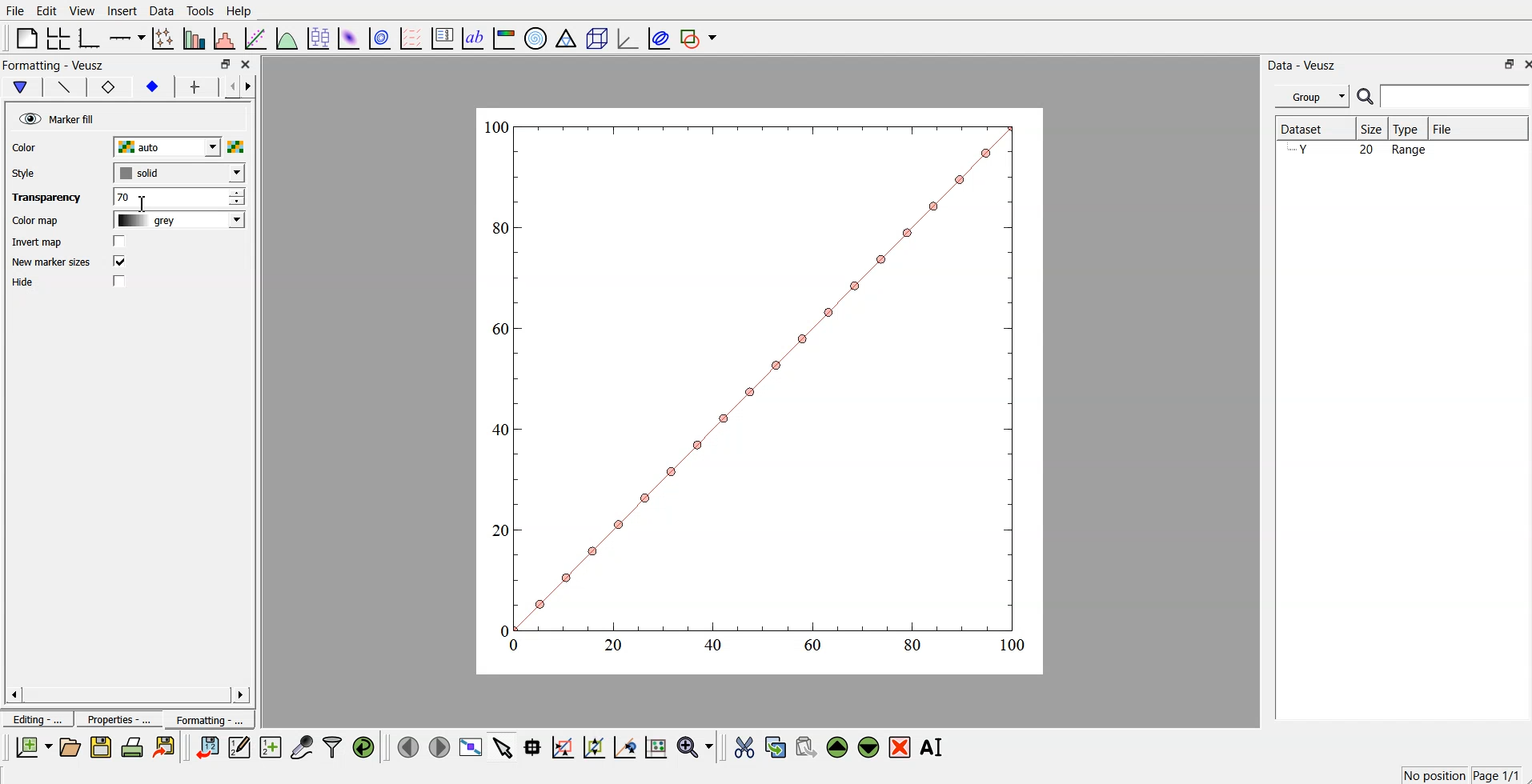  I want to click on reload linked datasets, so click(366, 746).